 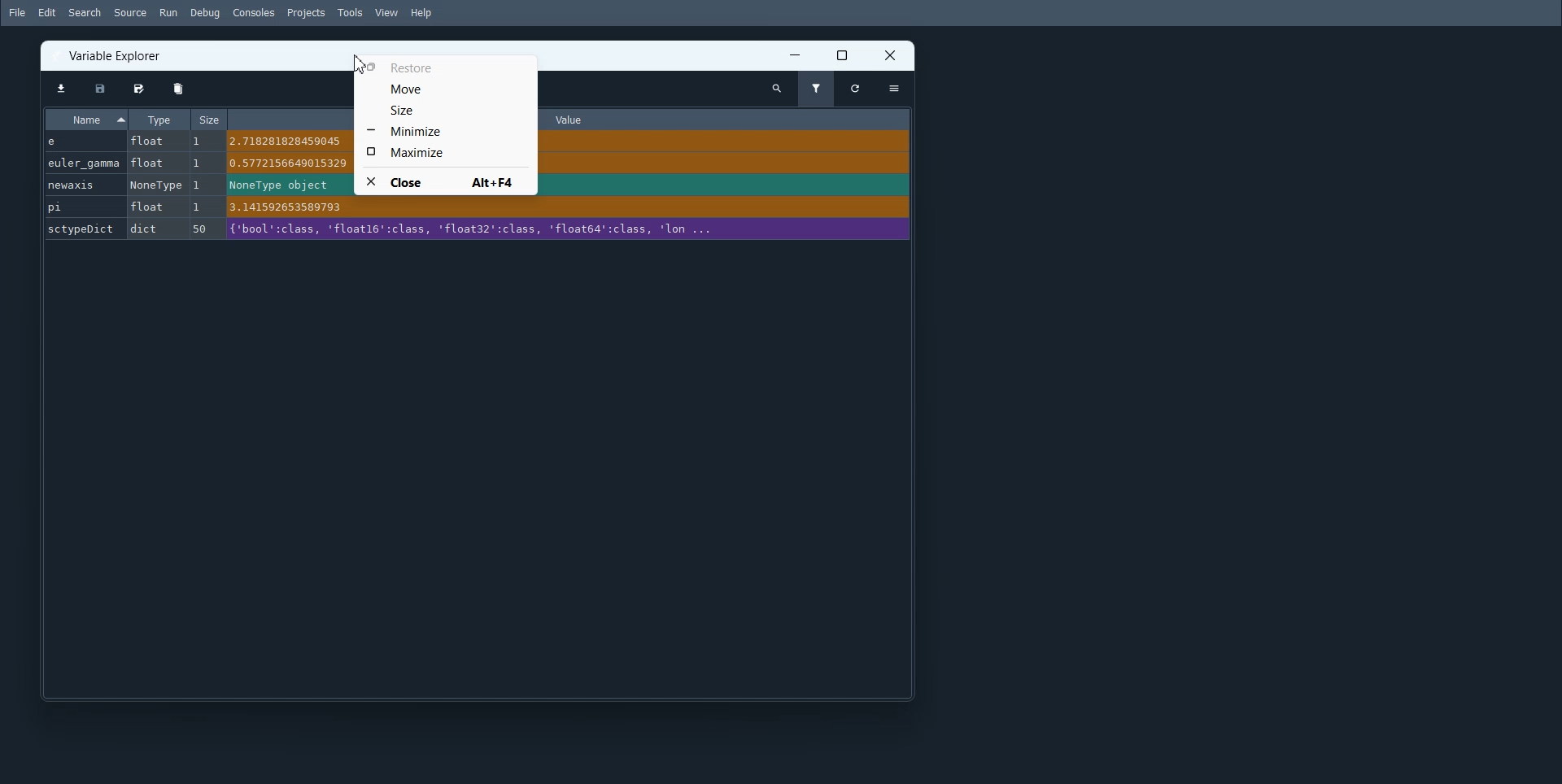 What do you see at coordinates (421, 13) in the screenshot?
I see `Help` at bounding box center [421, 13].